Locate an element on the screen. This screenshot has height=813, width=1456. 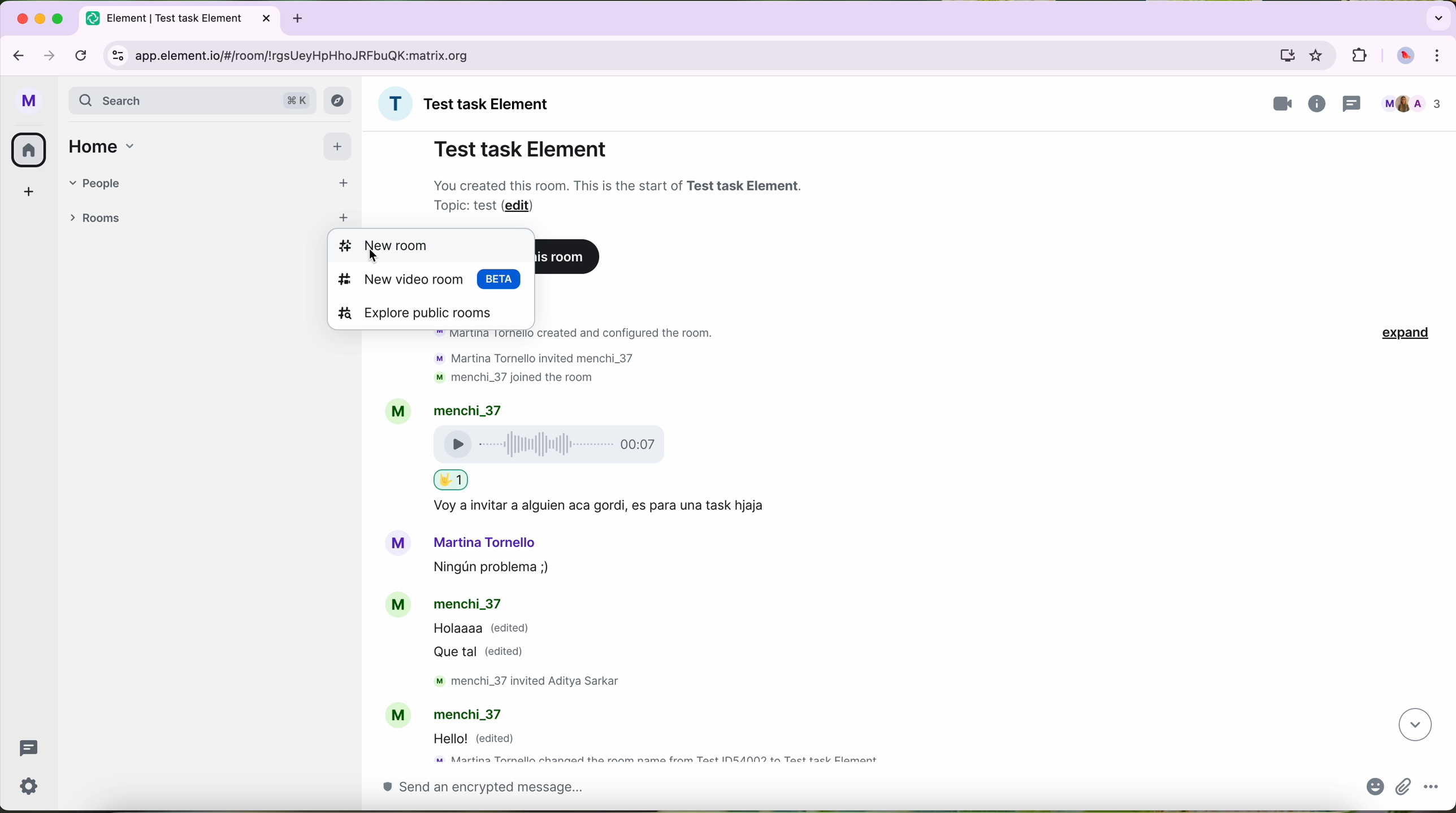
URL is located at coordinates (313, 55).